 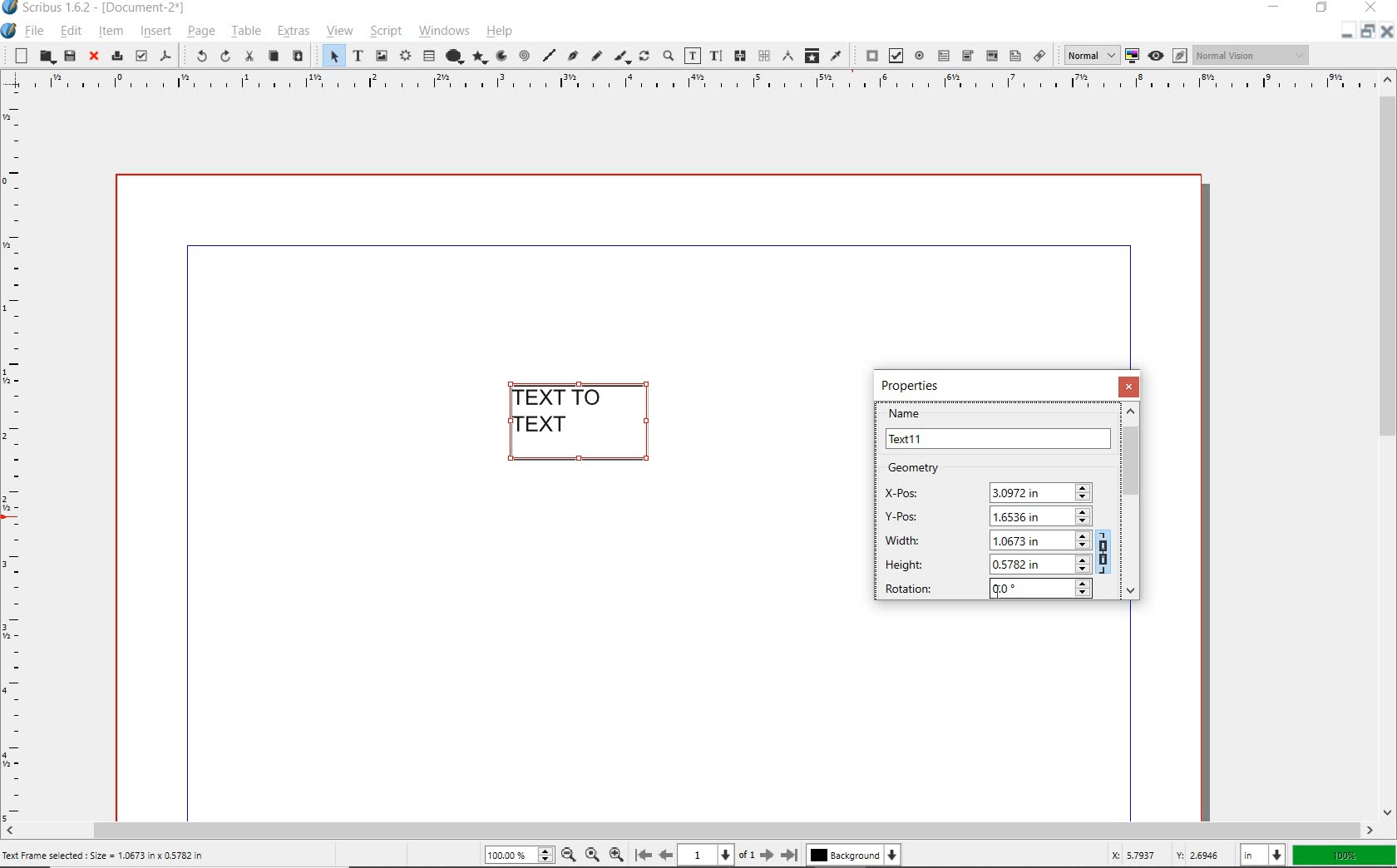 What do you see at coordinates (358, 57) in the screenshot?
I see `text frame` at bounding box center [358, 57].